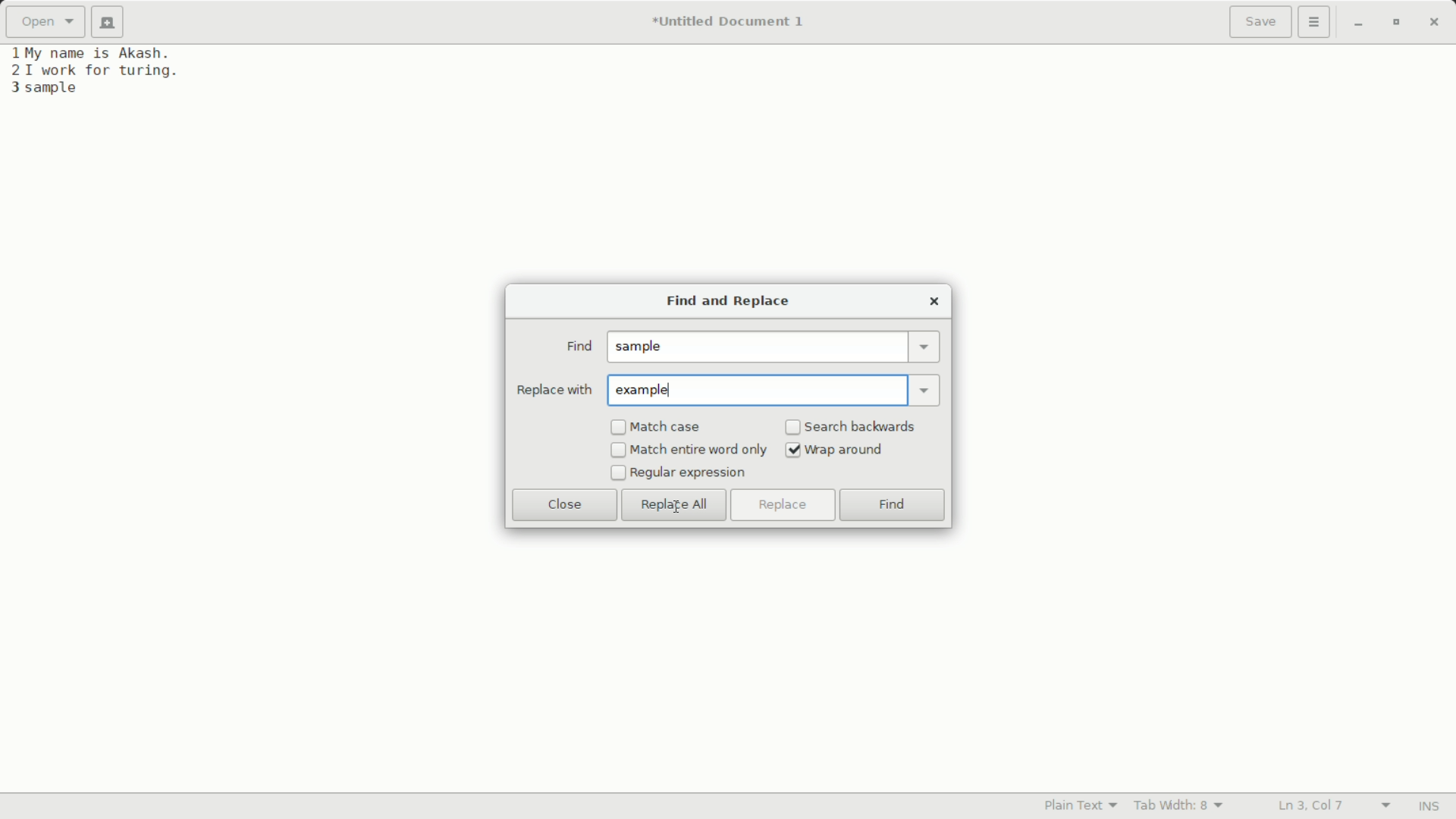 The height and width of the screenshot is (819, 1456). I want to click on find, so click(893, 507).